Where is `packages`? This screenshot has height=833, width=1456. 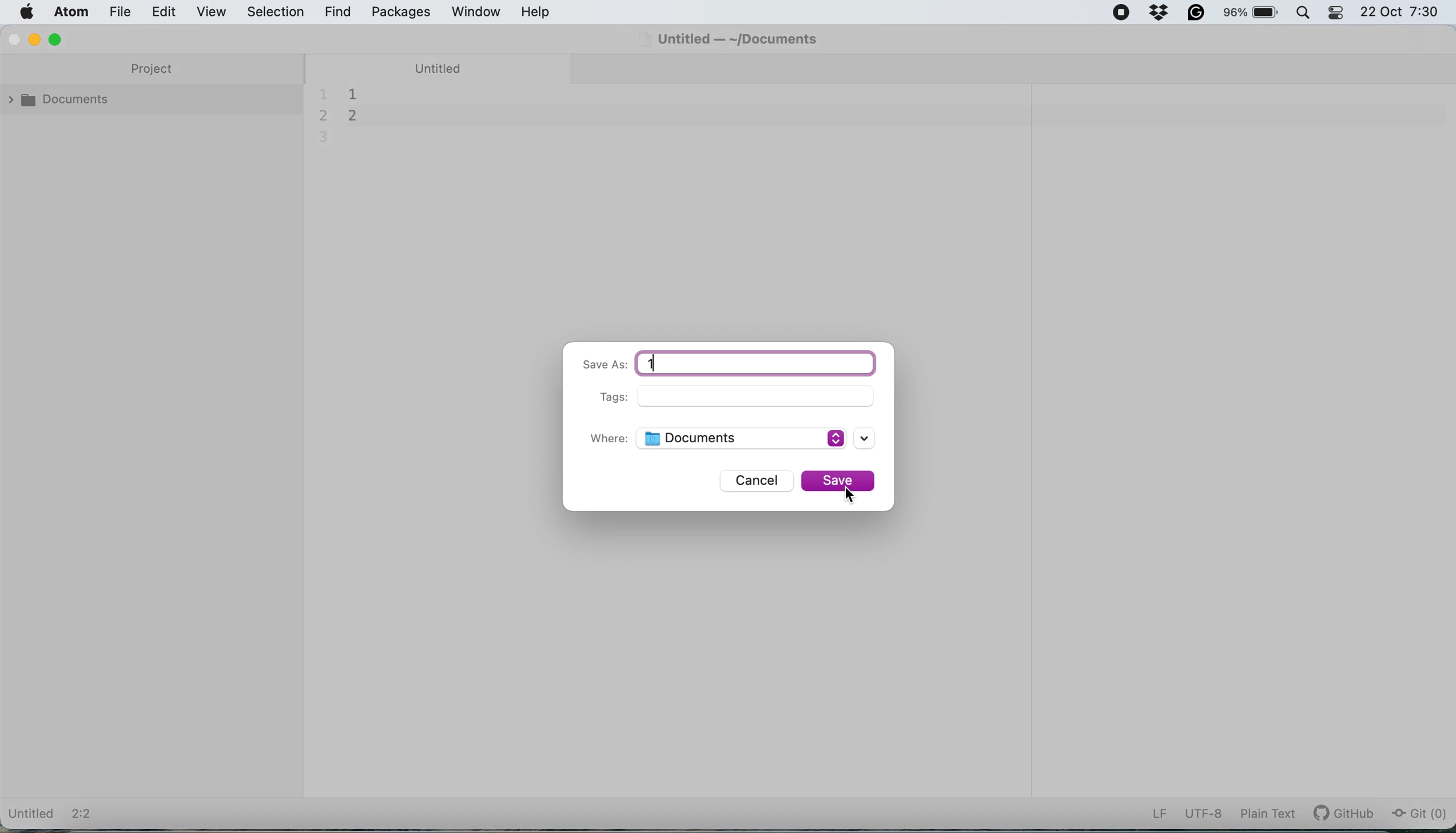
packages is located at coordinates (401, 13).